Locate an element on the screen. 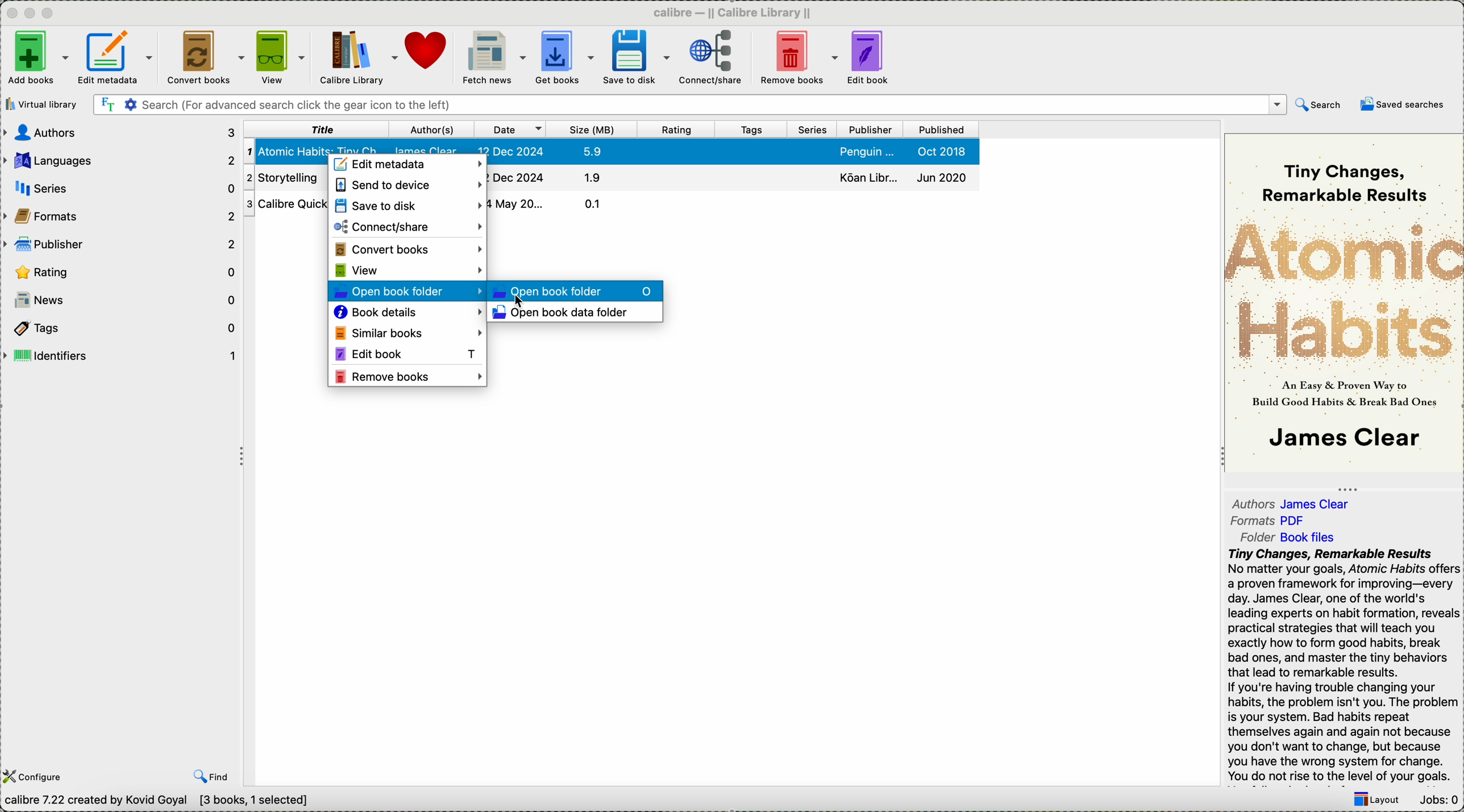 This screenshot has width=1464, height=812. connect/share is located at coordinates (711, 60).